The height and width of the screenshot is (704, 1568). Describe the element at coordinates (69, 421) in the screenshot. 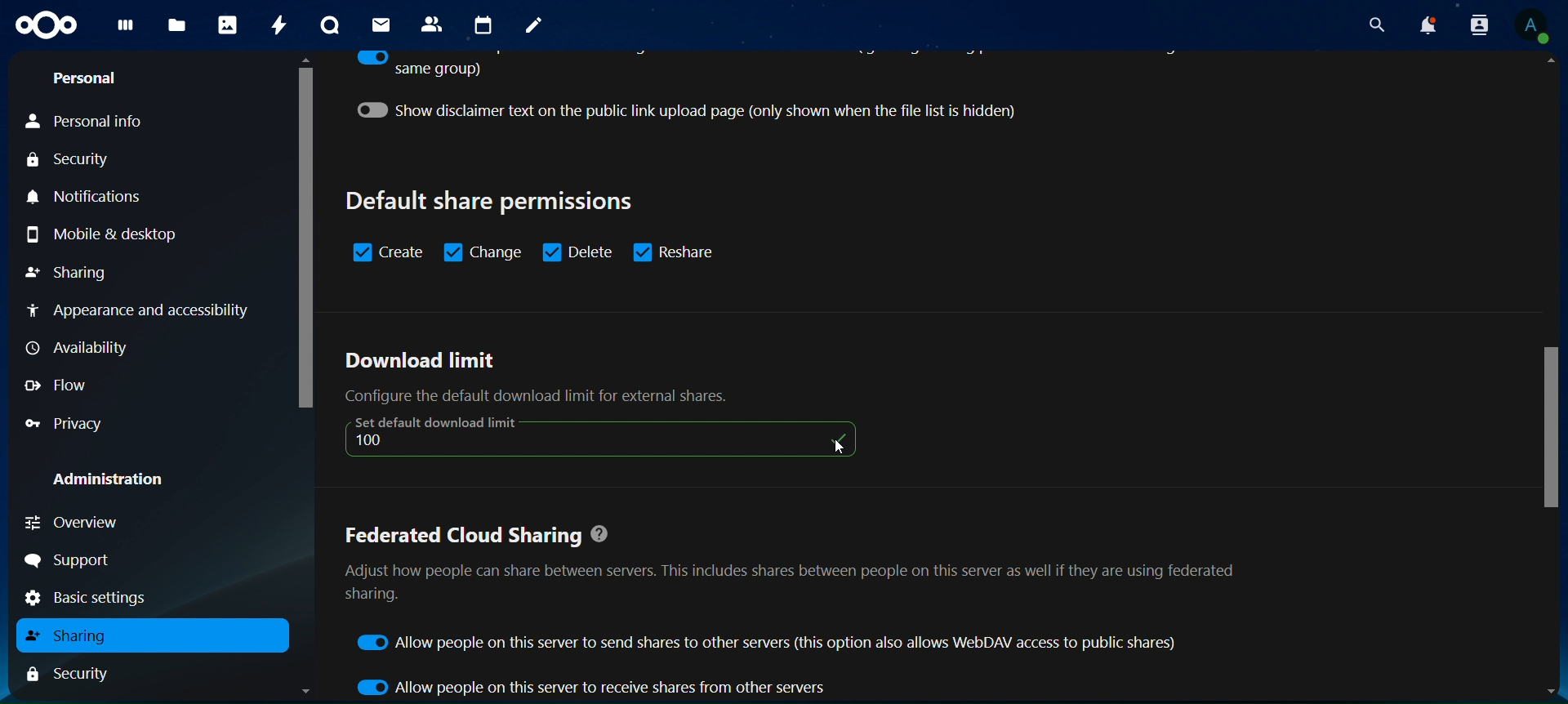

I see `privacy` at that location.